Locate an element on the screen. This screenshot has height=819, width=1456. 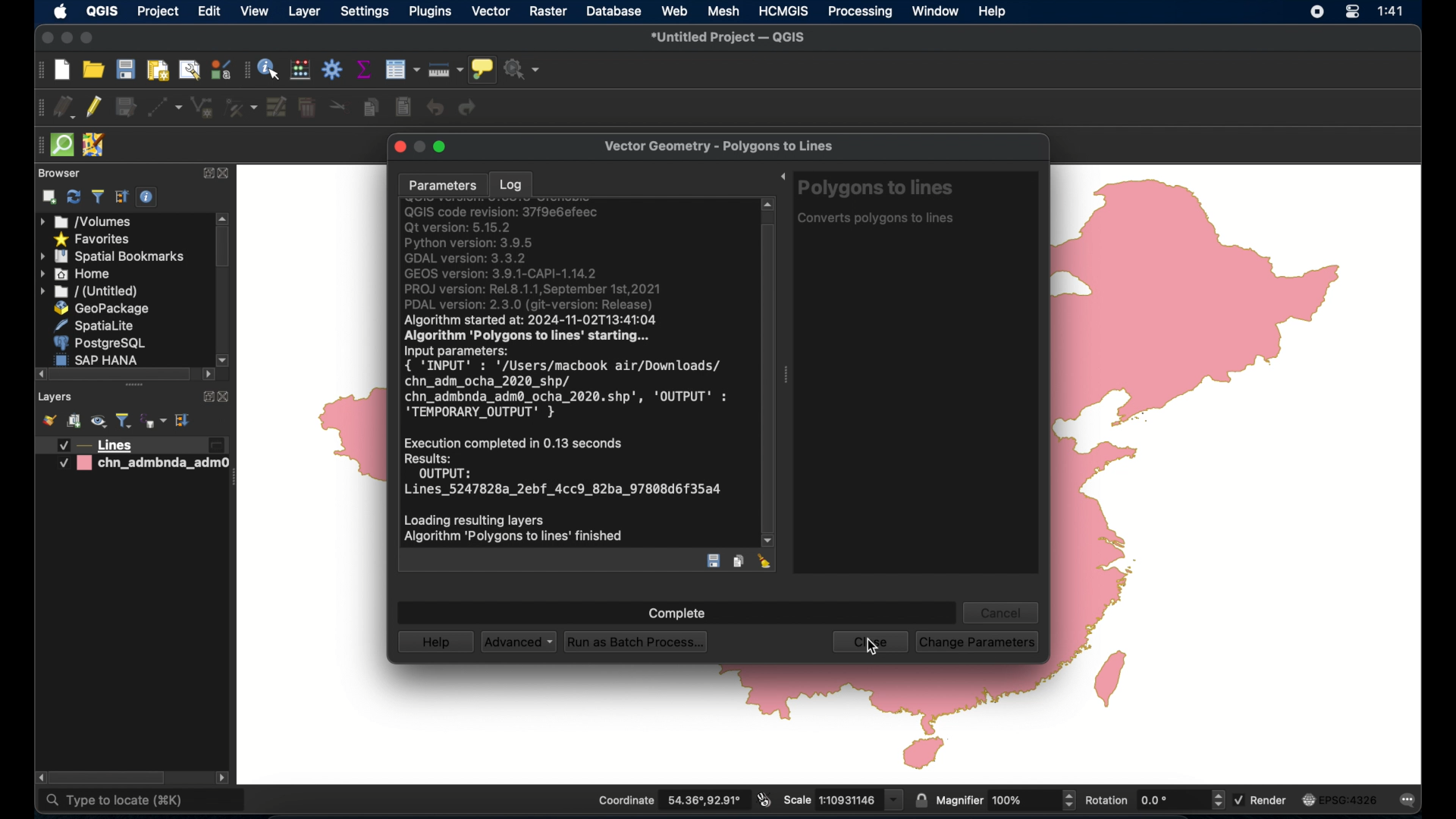
scroll box is located at coordinates (770, 376).